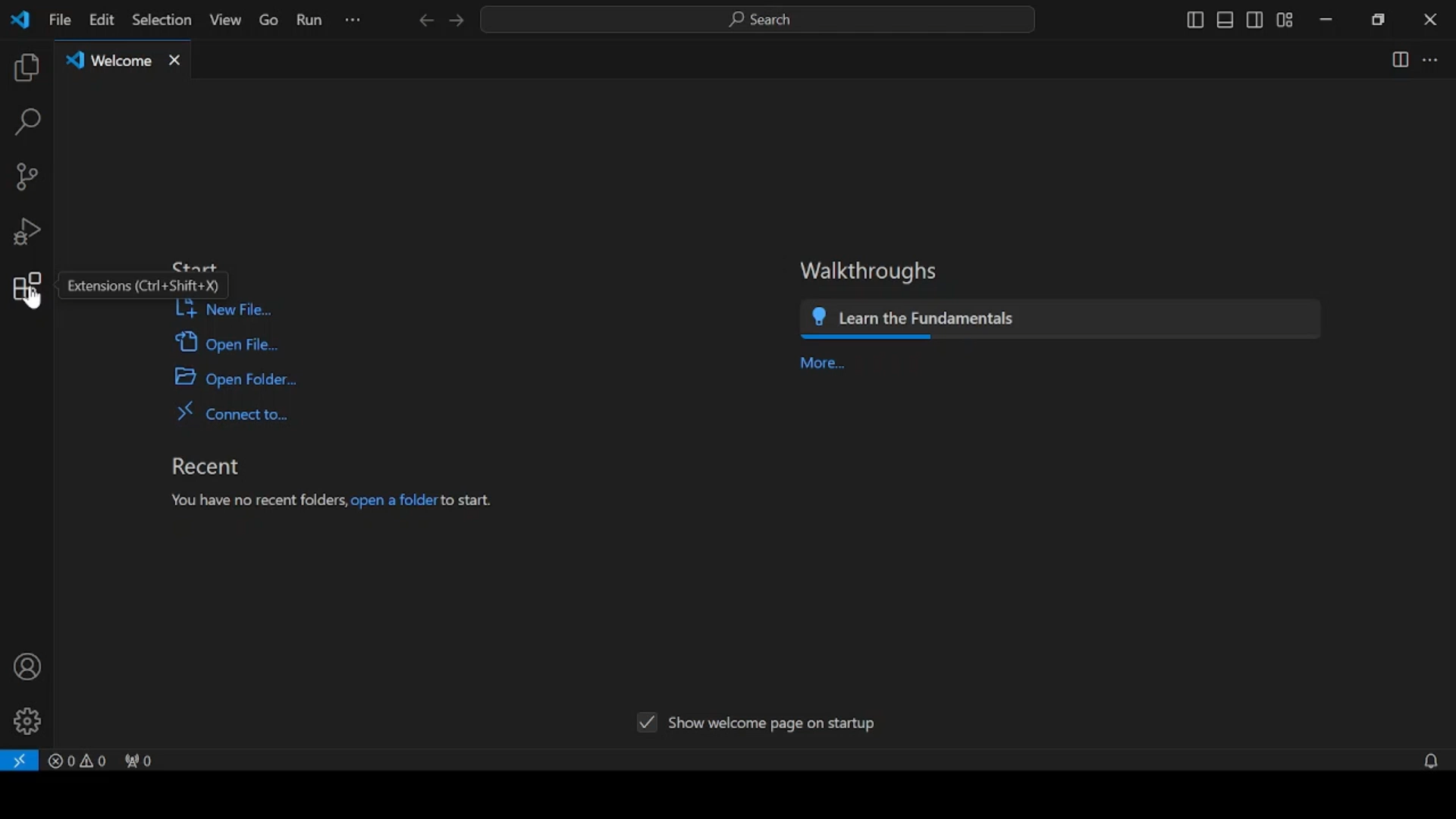 Image resolution: width=1456 pixels, height=819 pixels. I want to click on more options, so click(352, 21).